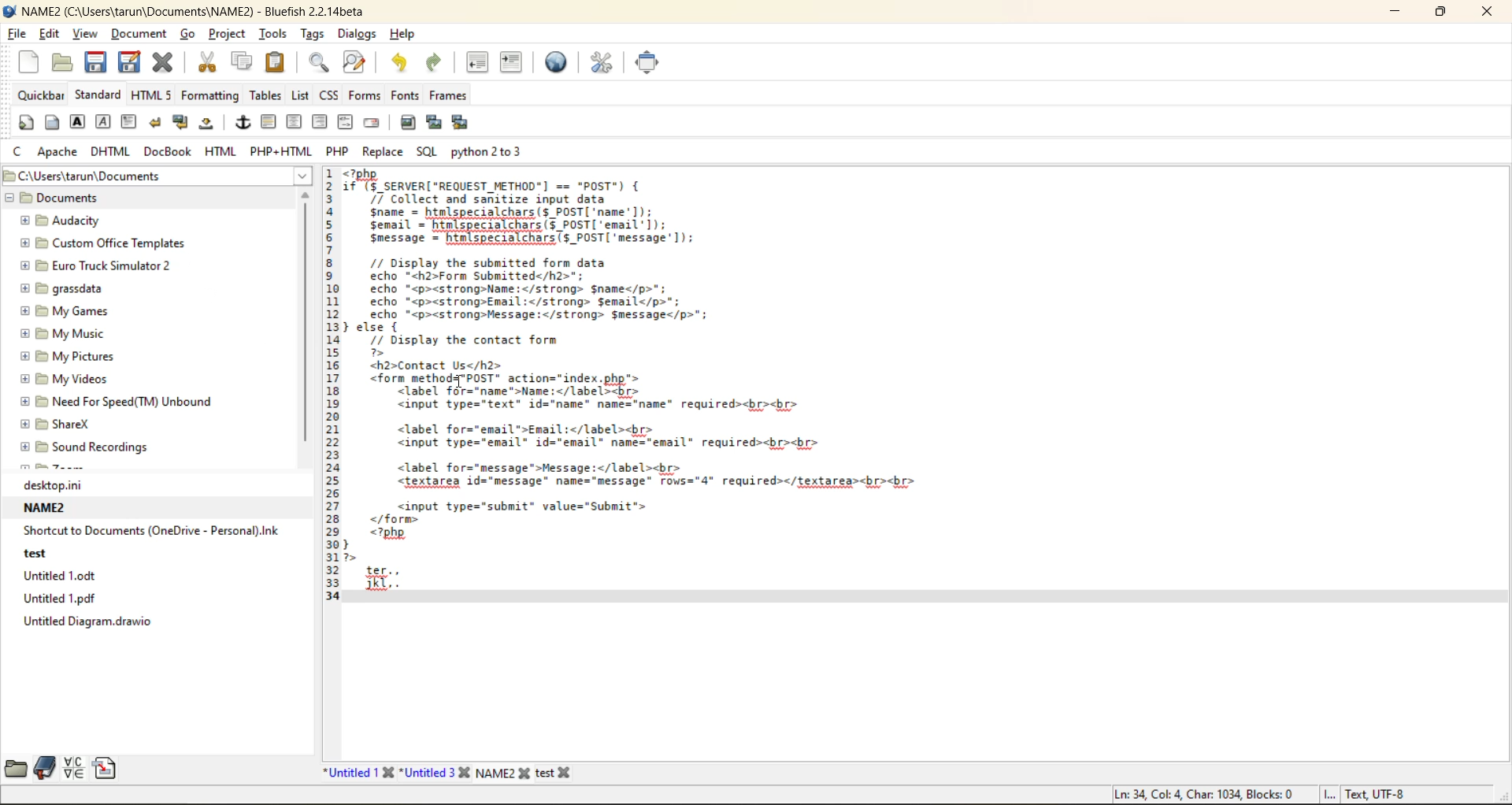  I want to click on euro truck simulator 2, so click(104, 267).